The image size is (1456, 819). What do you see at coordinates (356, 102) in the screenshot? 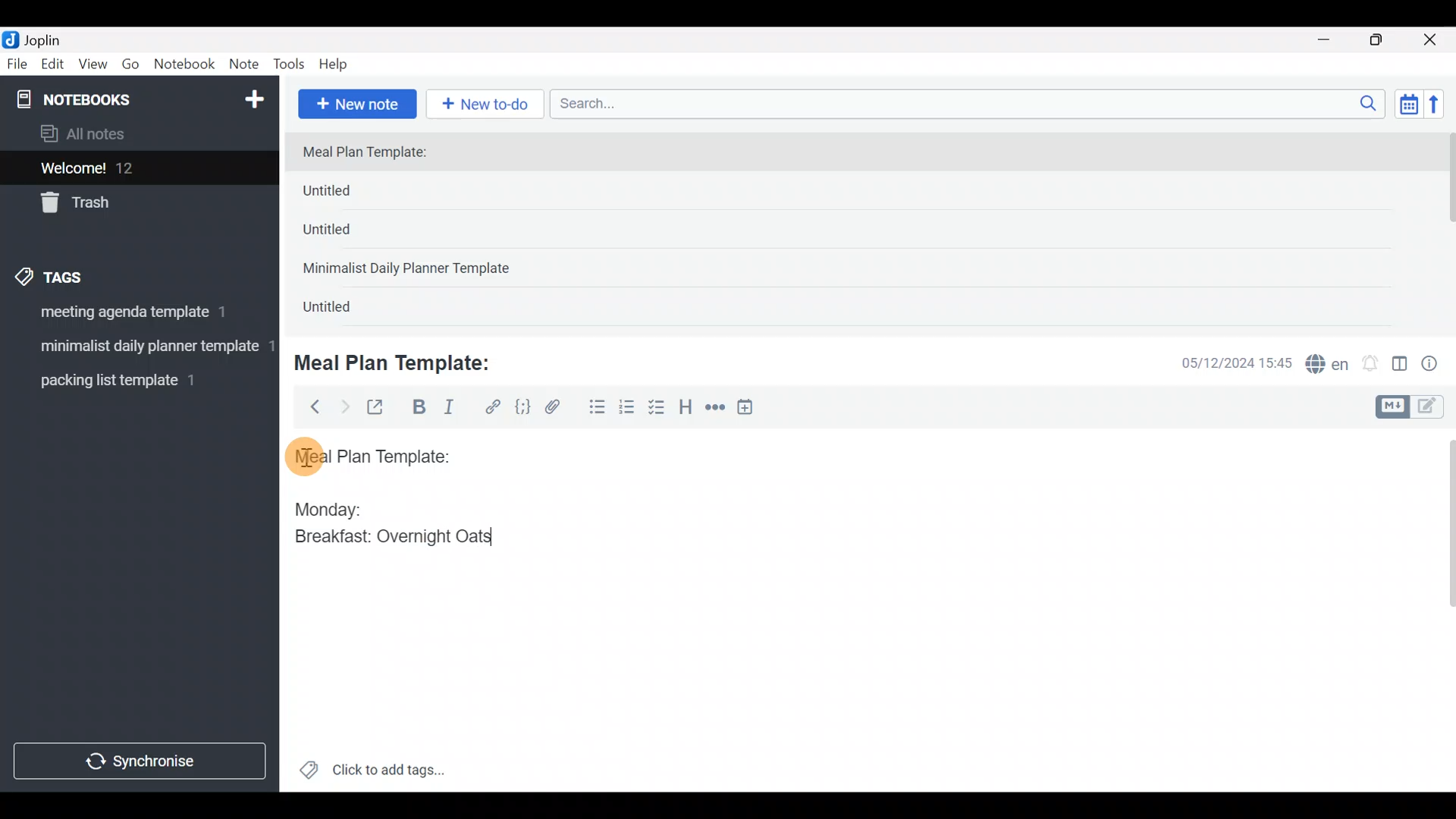
I see `New note` at bounding box center [356, 102].